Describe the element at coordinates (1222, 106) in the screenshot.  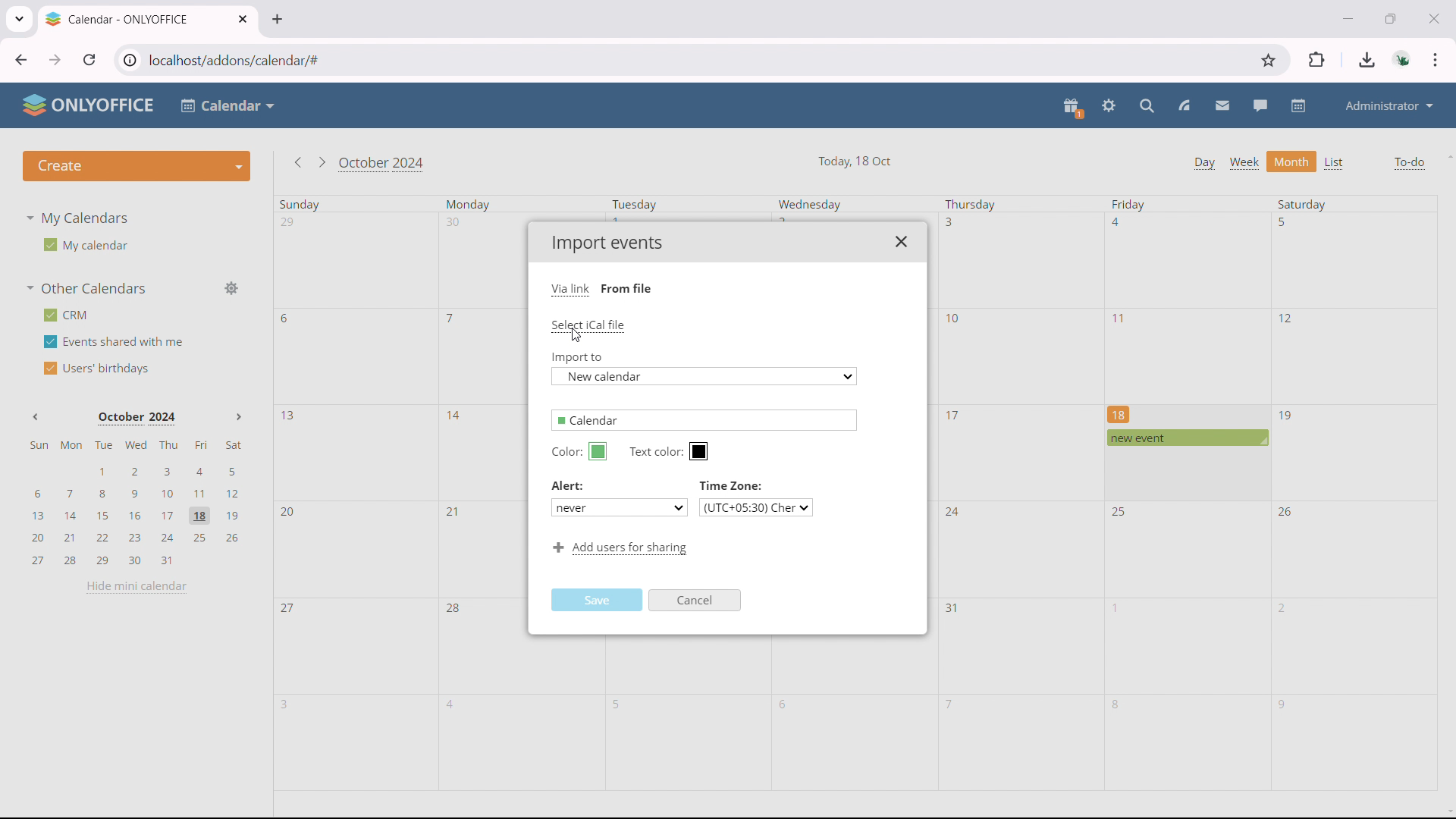
I see `mail` at that location.